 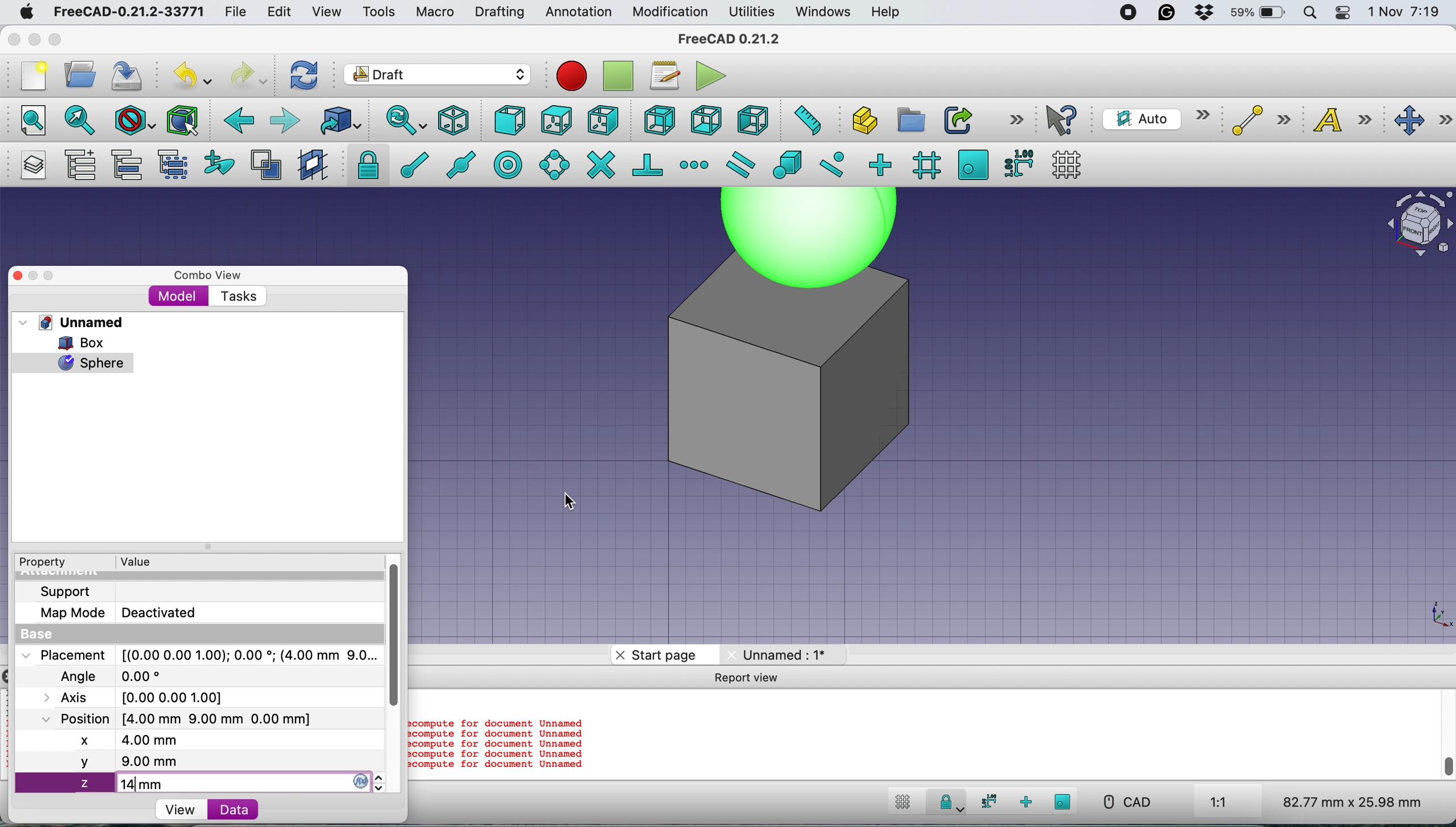 I want to click on draw style, so click(x=135, y=122).